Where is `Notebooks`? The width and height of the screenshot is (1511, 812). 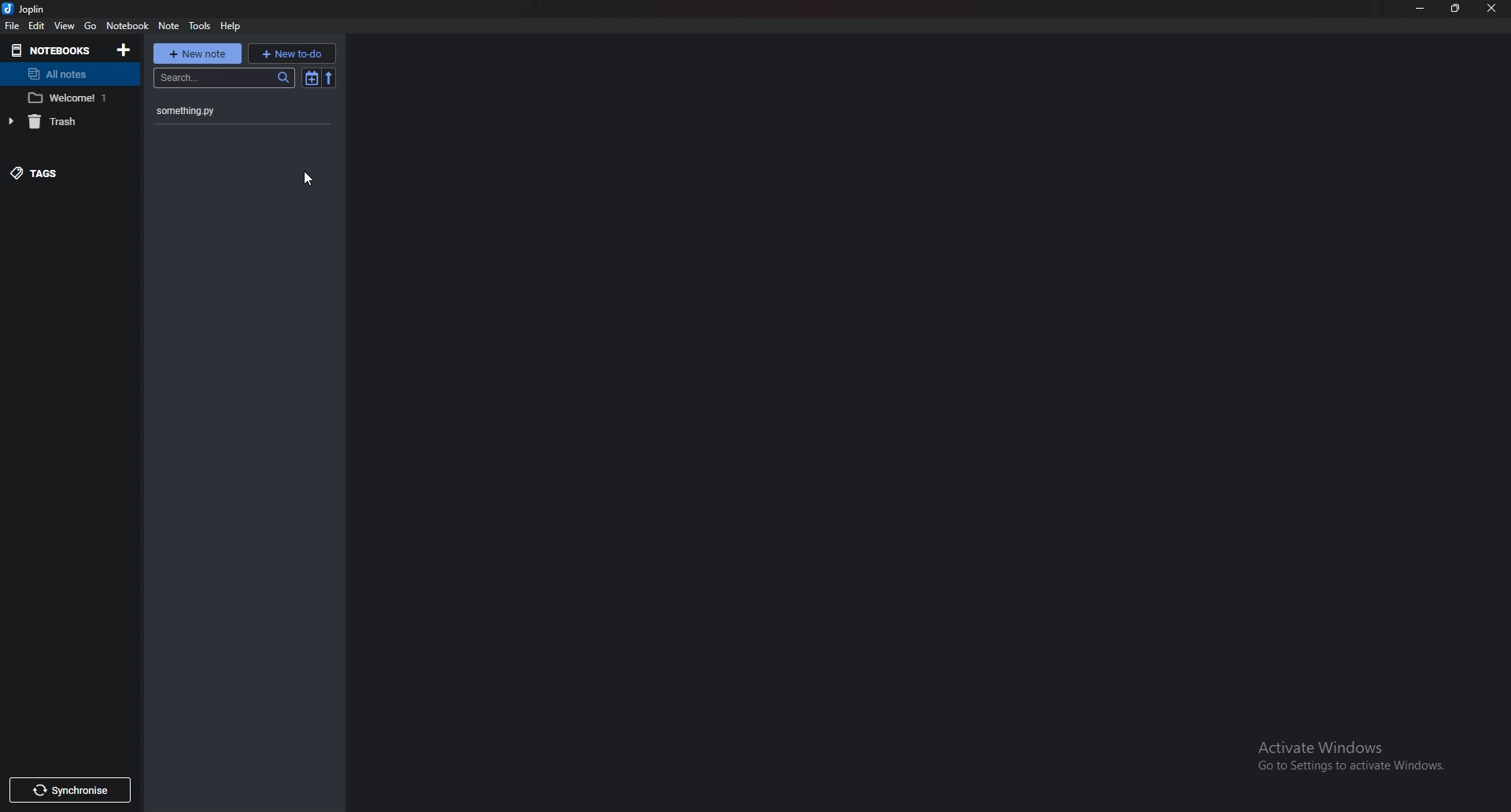
Notebooks is located at coordinates (54, 50).